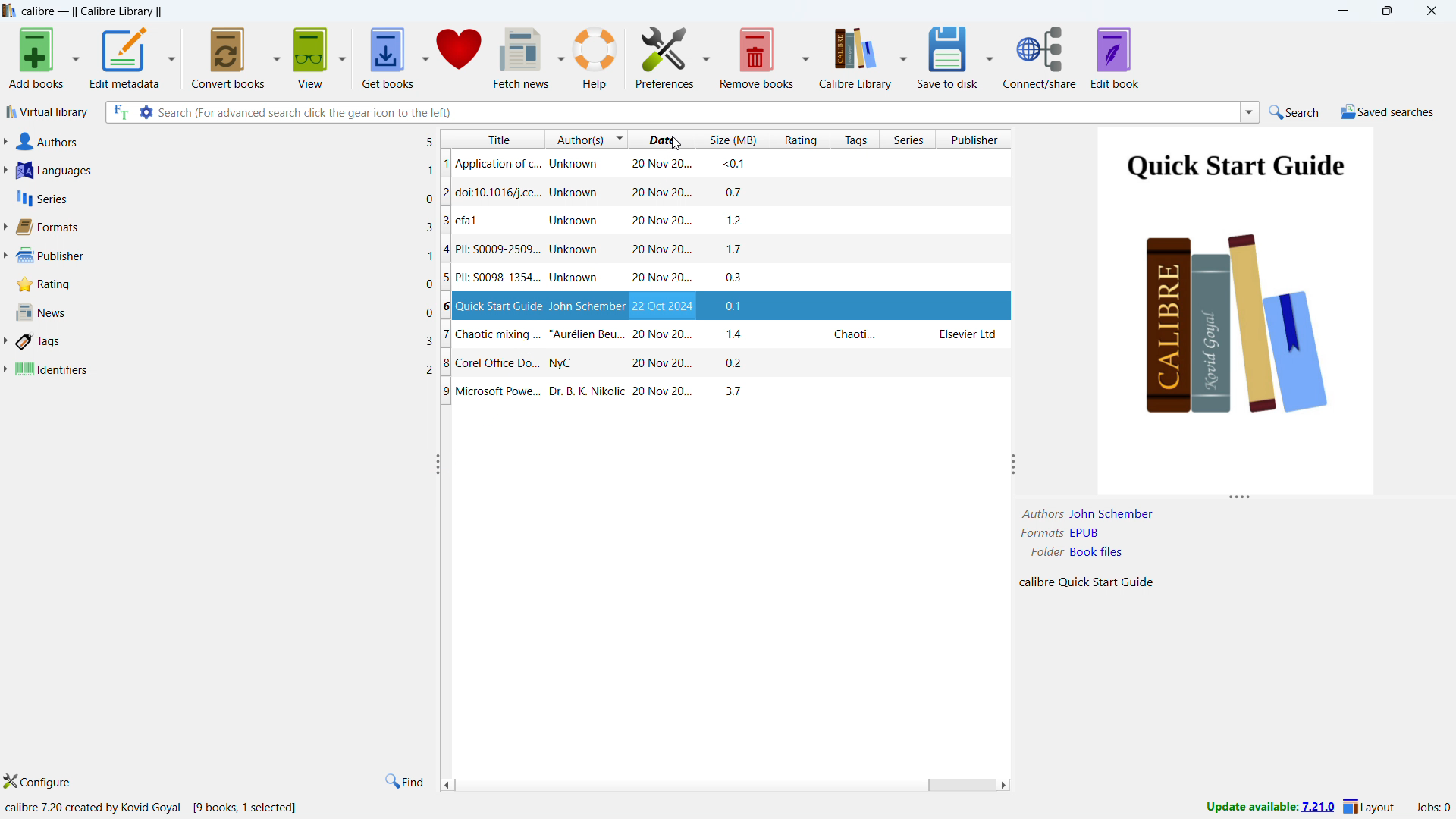 Image resolution: width=1456 pixels, height=819 pixels. What do you see at coordinates (959, 786) in the screenshot?
I see `Horizontal scrollbar` at bounding box center [959, 786].